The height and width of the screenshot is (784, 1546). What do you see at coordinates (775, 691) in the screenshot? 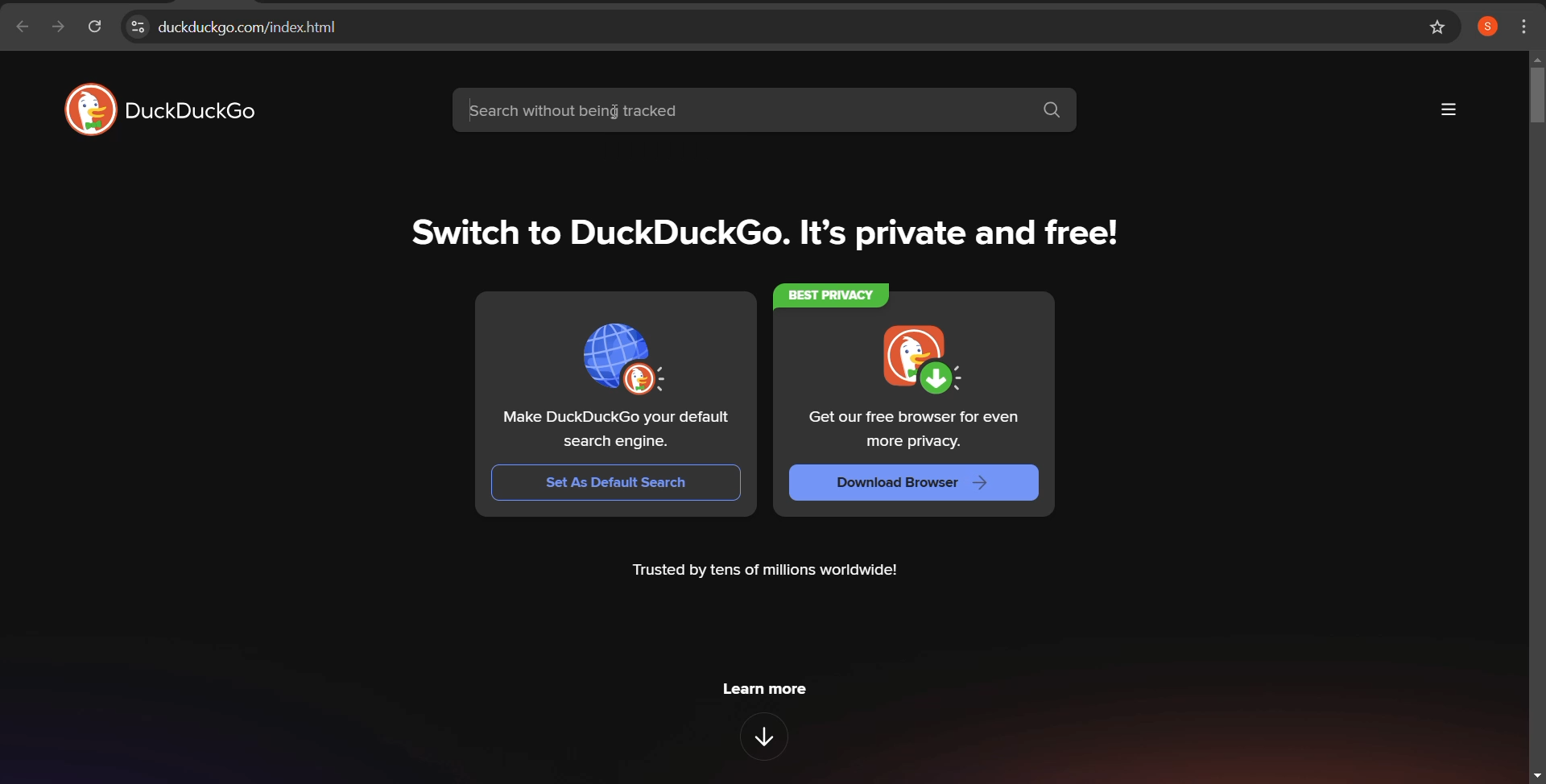
I see `learn more` at bounding box center [775, 691].